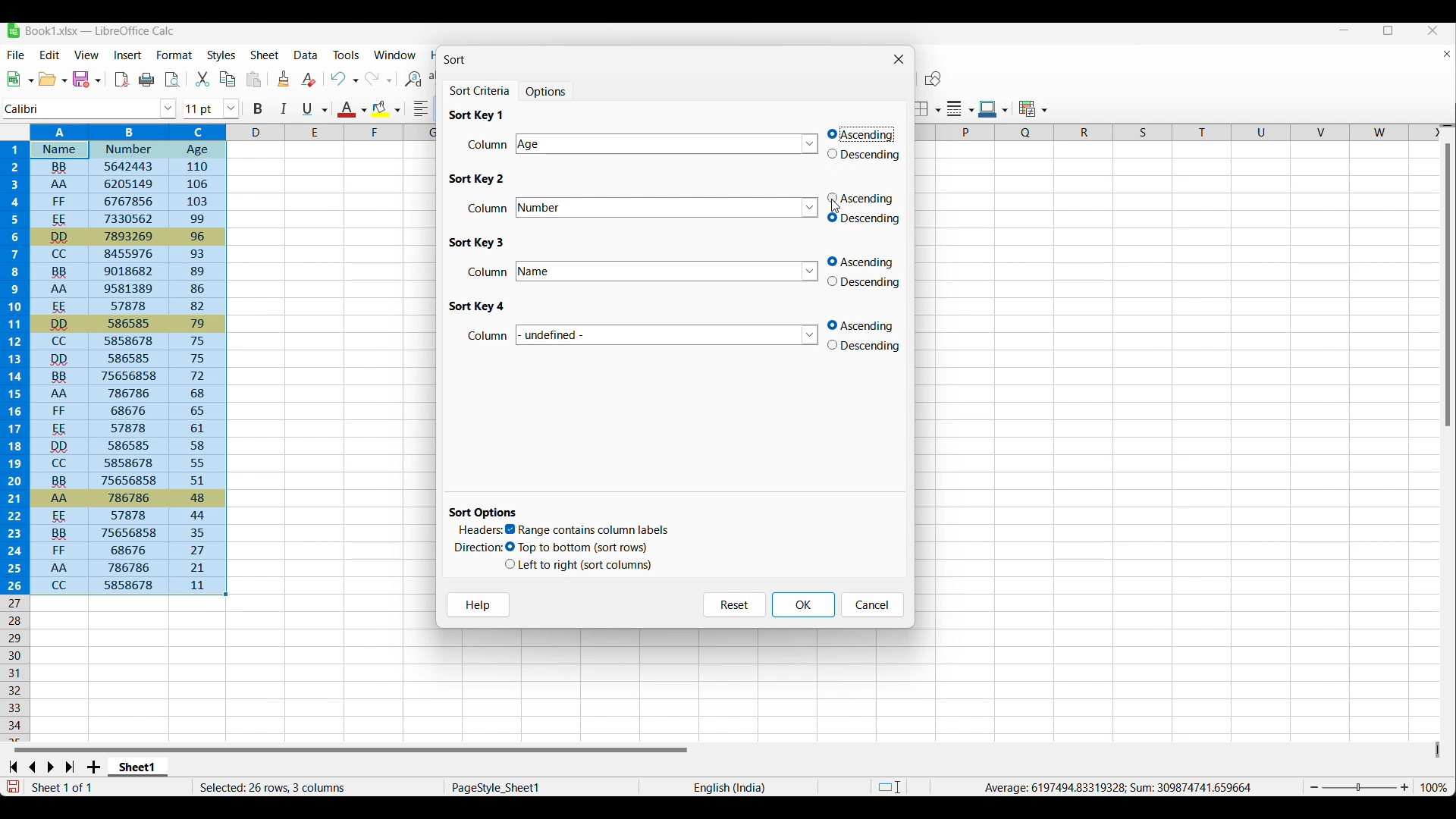 This screenshot has width=1456, height=819. What do you see at coordinates (488, 144) in the screenshot?
I see `Indicates sort by column` at bounding box center [488, 144].